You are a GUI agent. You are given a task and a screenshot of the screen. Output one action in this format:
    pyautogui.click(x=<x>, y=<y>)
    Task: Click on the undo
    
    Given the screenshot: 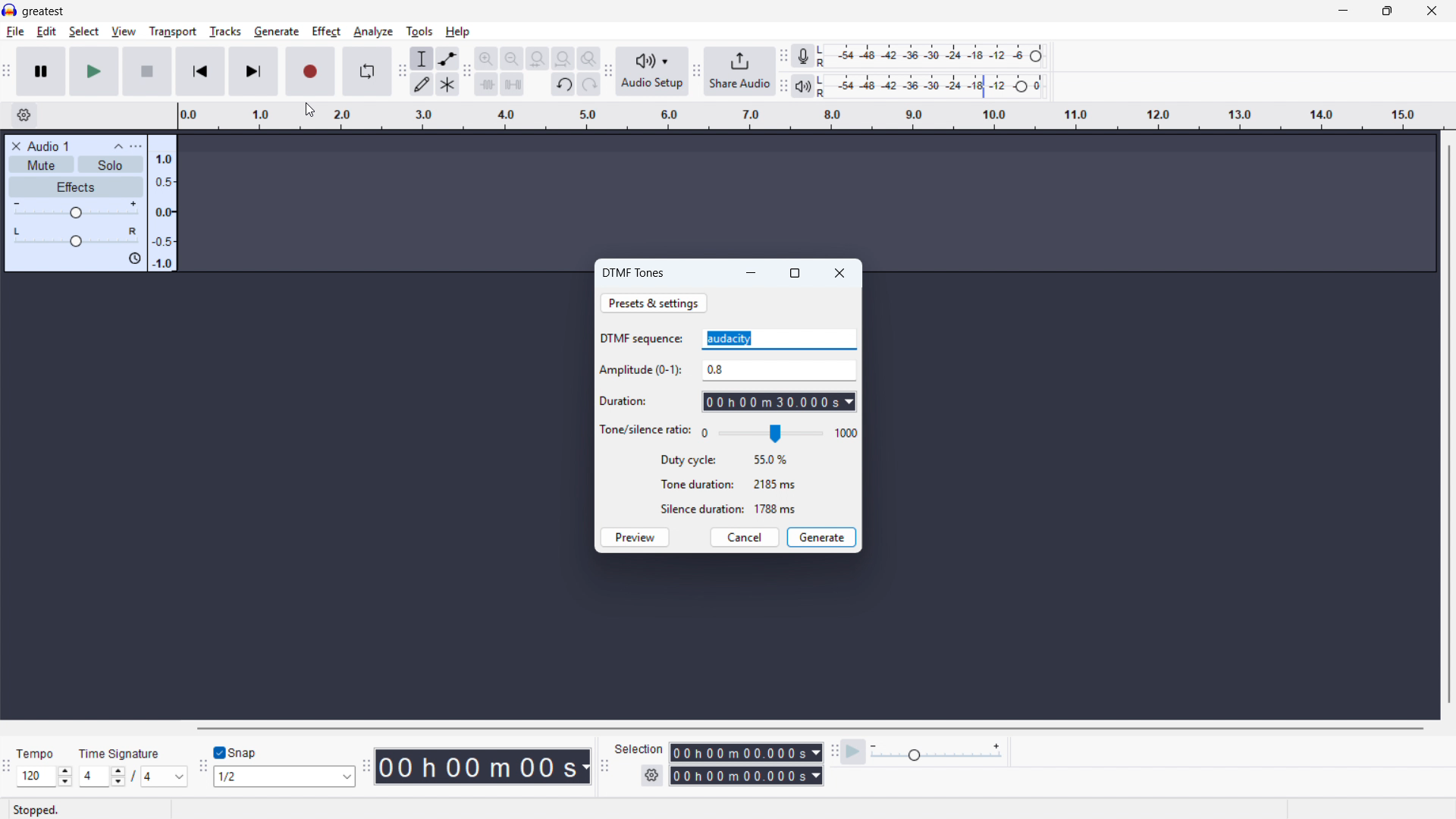 What is the action you would take?
    pyautogui.click(x=563, y=86)
    